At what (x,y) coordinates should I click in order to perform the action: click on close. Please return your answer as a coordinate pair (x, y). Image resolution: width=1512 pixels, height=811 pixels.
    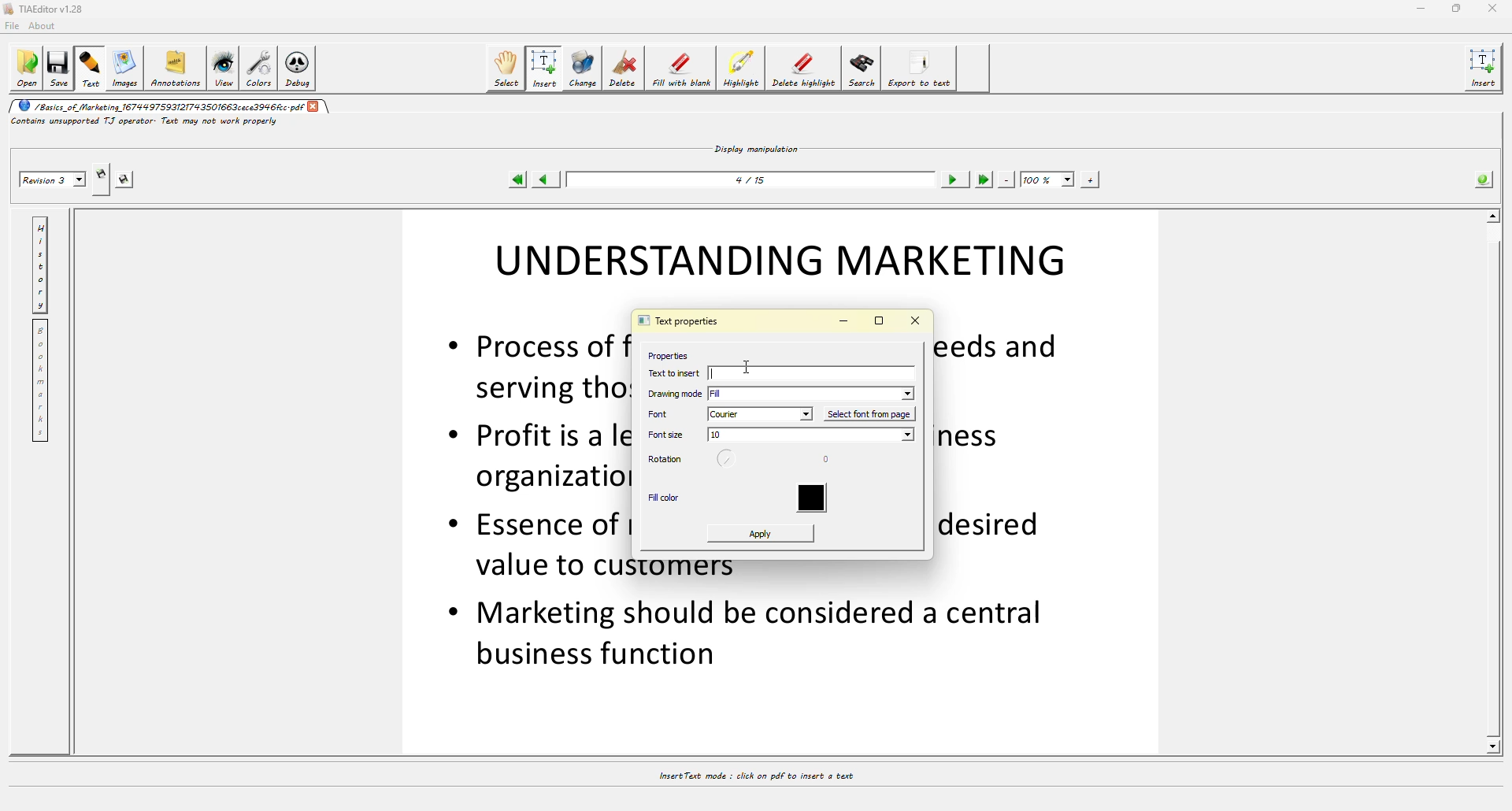
    Looking at the image, I should click on (316, 106).